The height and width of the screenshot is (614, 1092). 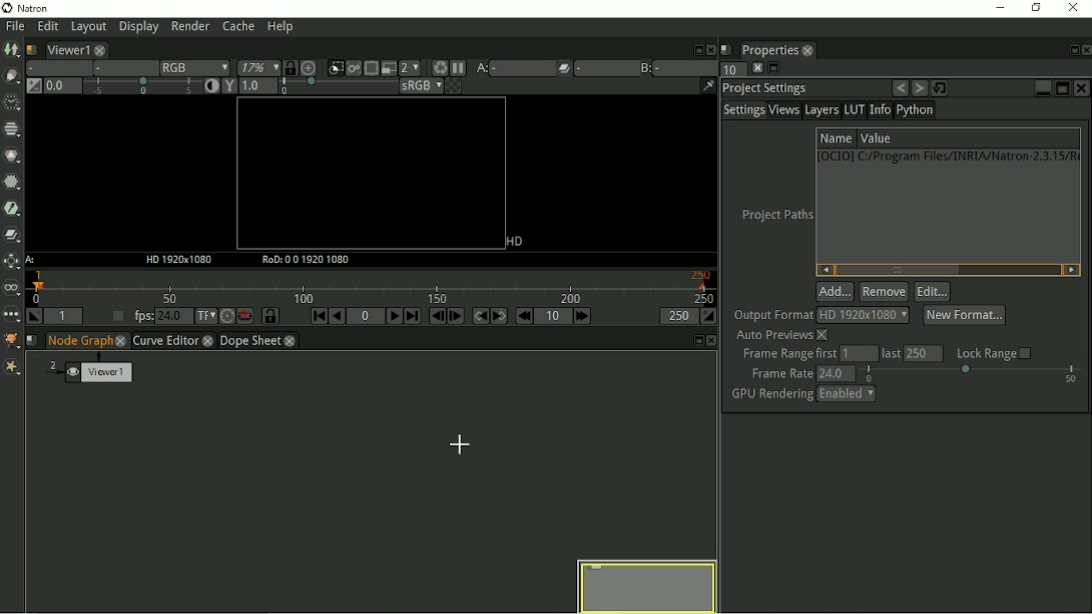 What do you see at coordinates (11, 314) in the screenshot?
I see `Other` at bounding box center [11, 314].